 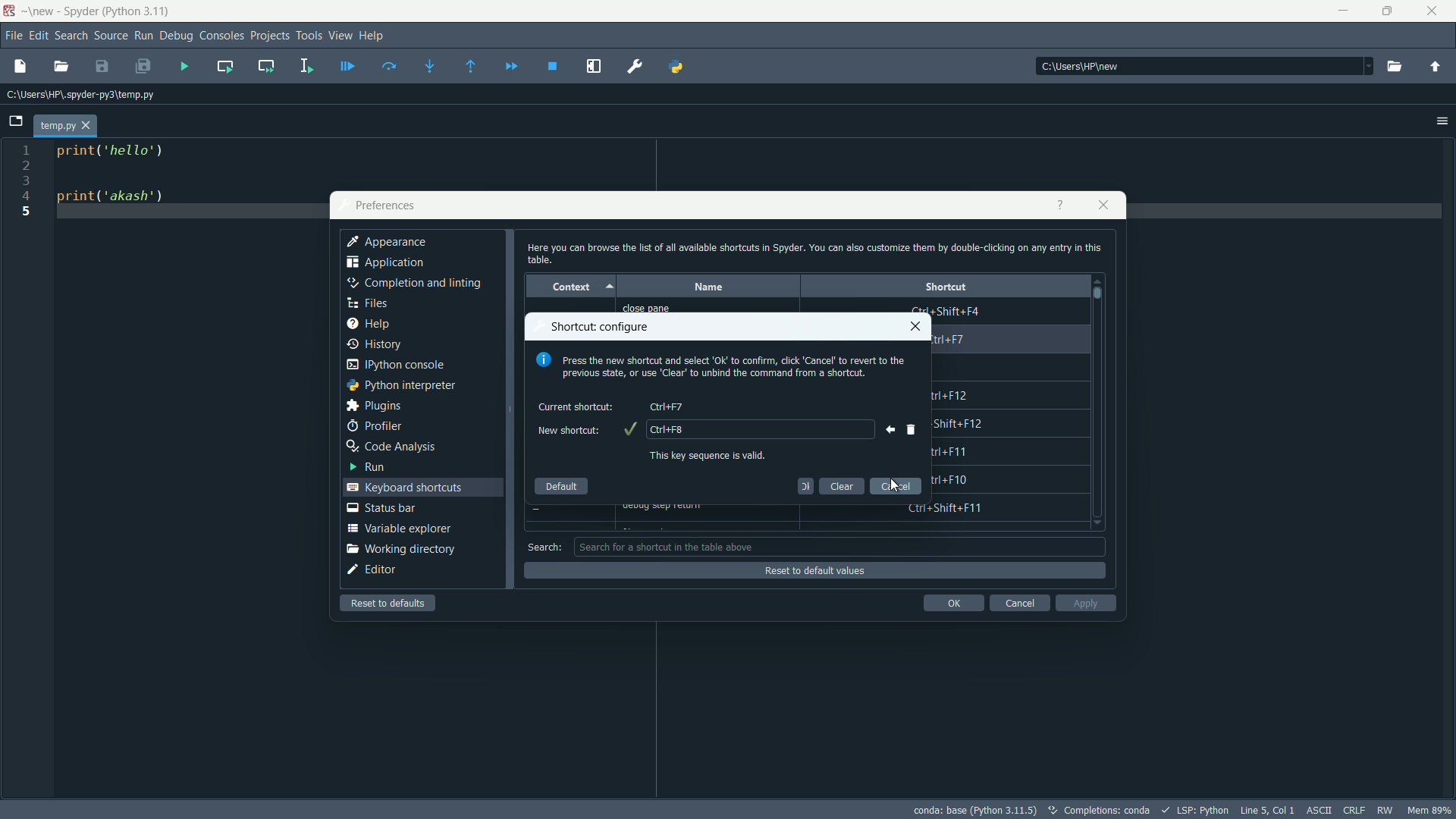 What do you see at coordinates (64, 126) in the screenshot?
I see `file tab` at bounding box center [64, 126].